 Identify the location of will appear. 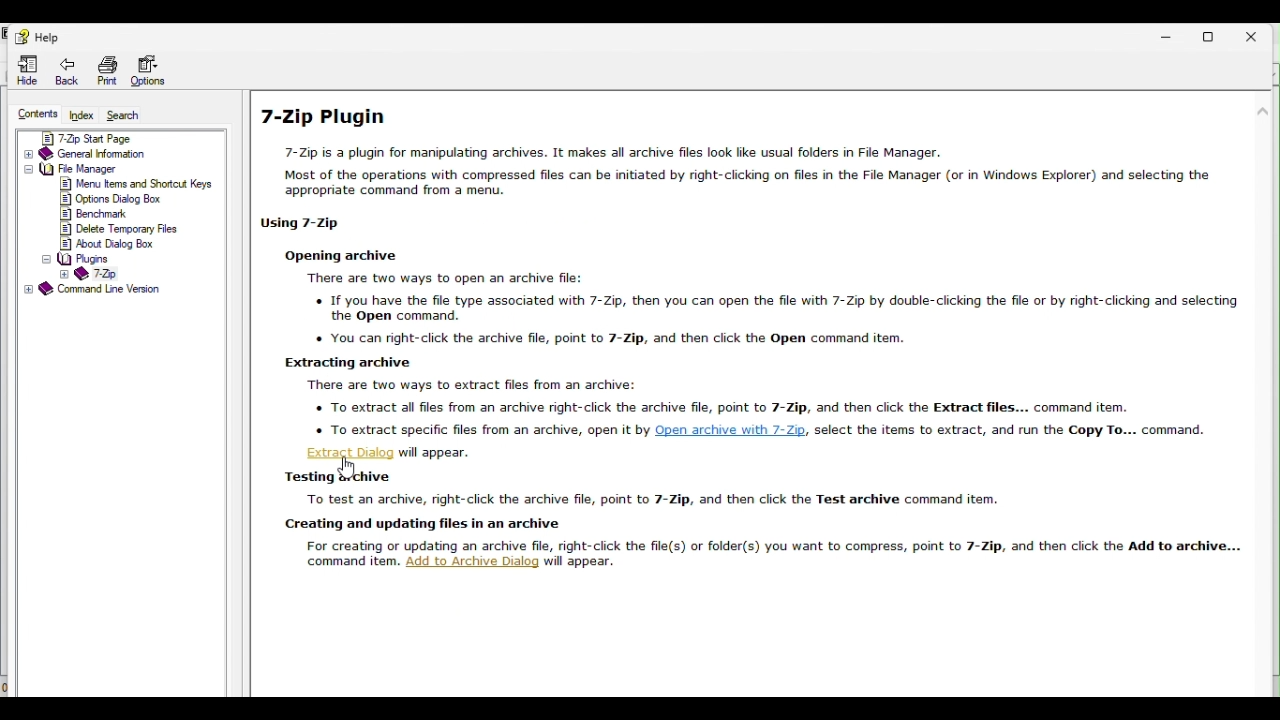
(580, 563).